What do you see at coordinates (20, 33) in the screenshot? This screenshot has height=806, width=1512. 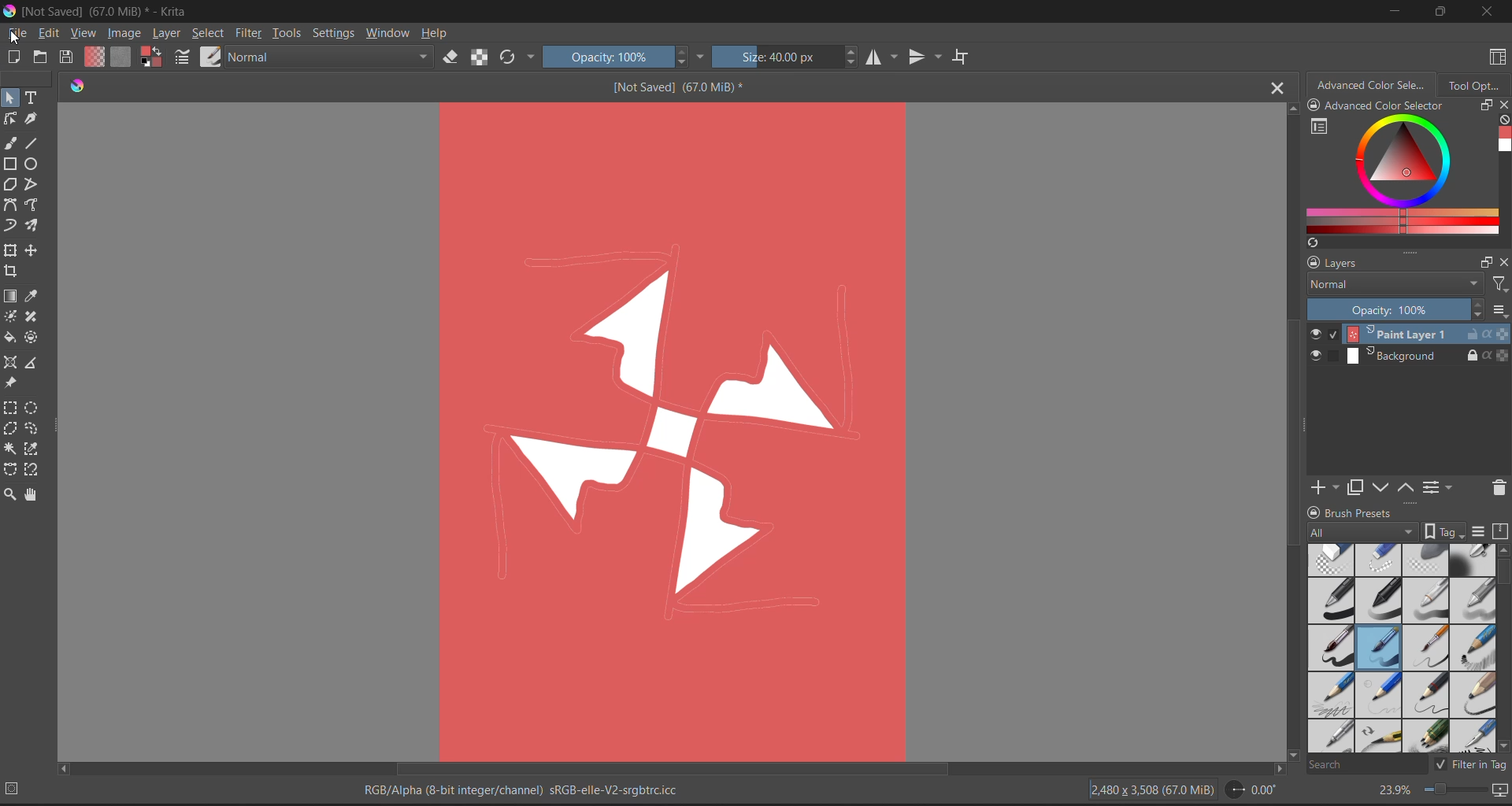 I see `file` at bounding box center [20, 33].